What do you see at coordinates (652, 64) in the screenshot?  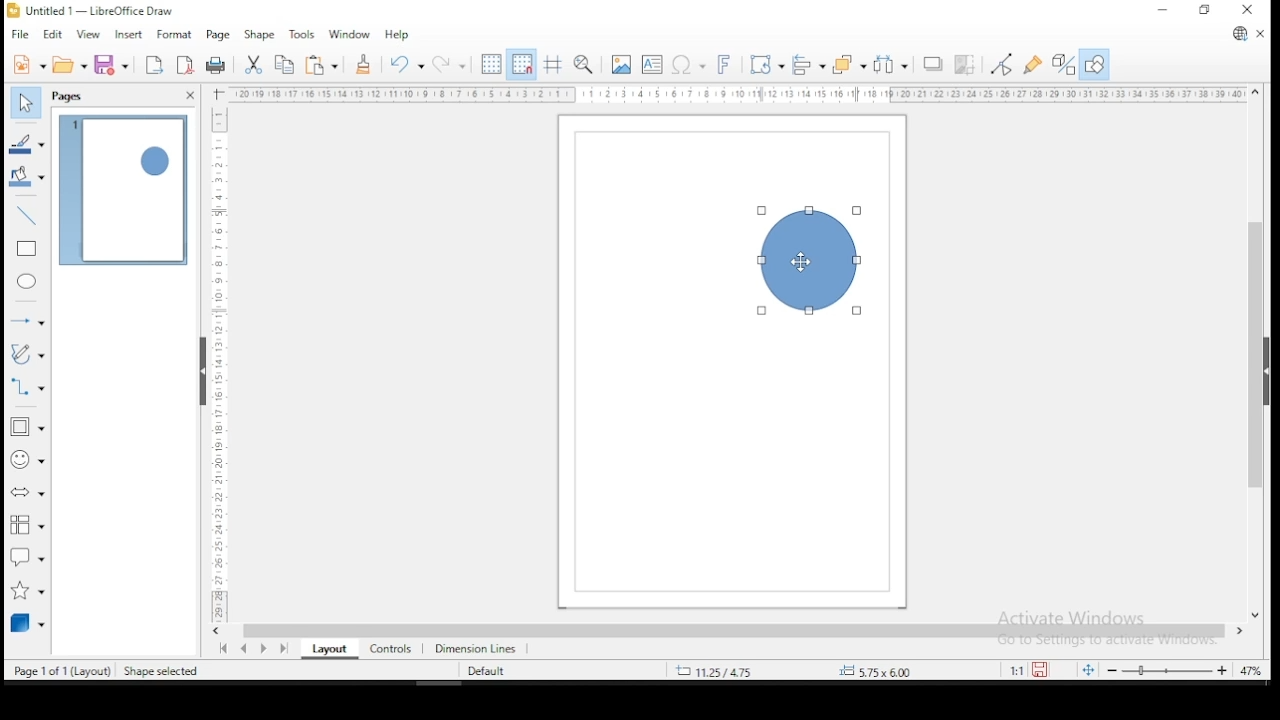 I see `insert text box` at bounding box center [652, 64].